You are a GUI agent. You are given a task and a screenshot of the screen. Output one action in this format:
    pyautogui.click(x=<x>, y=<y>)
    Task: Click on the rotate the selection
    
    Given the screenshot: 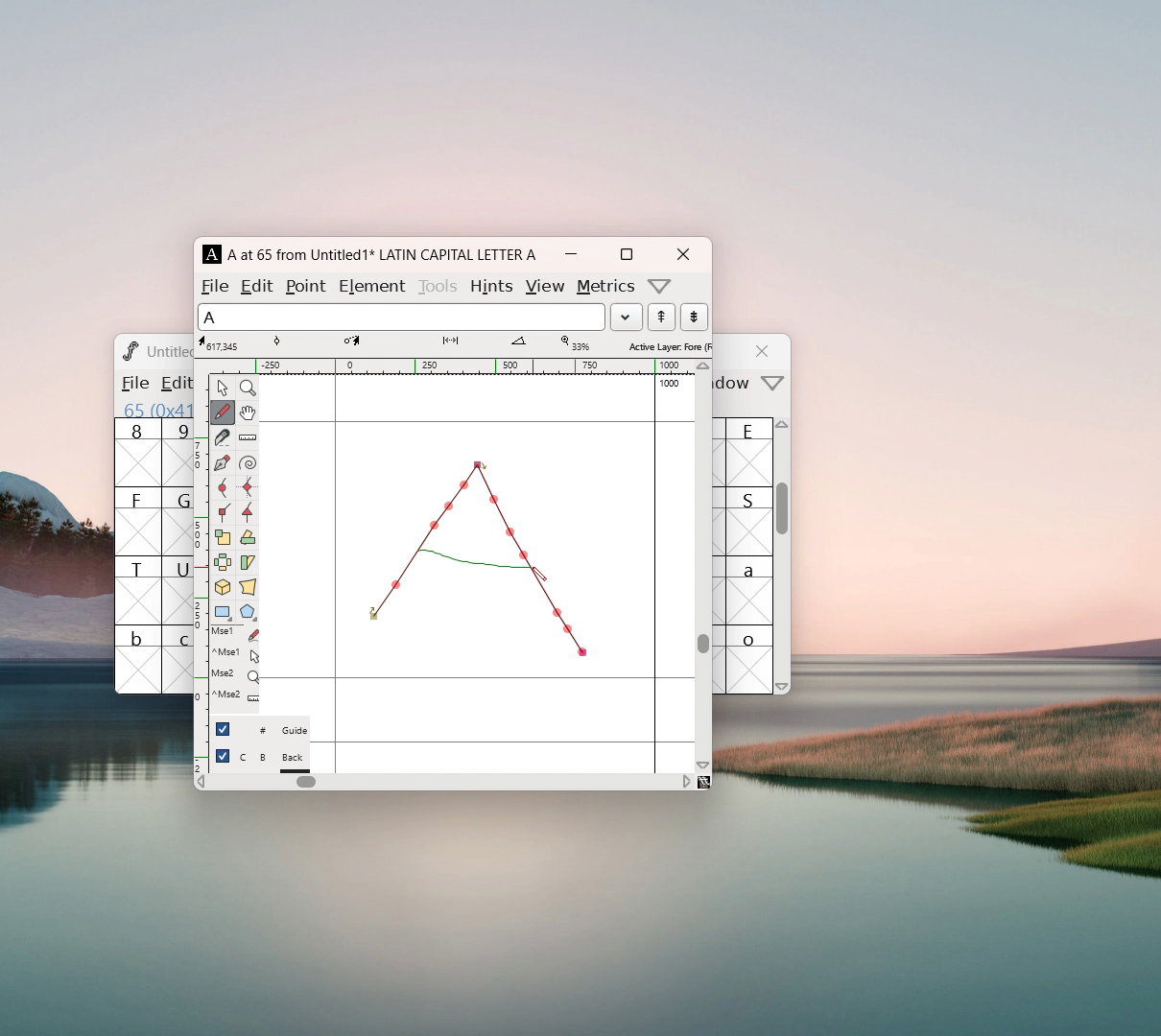 What is the action you would take?
    pyautogui.click(x=247, y=539)
    